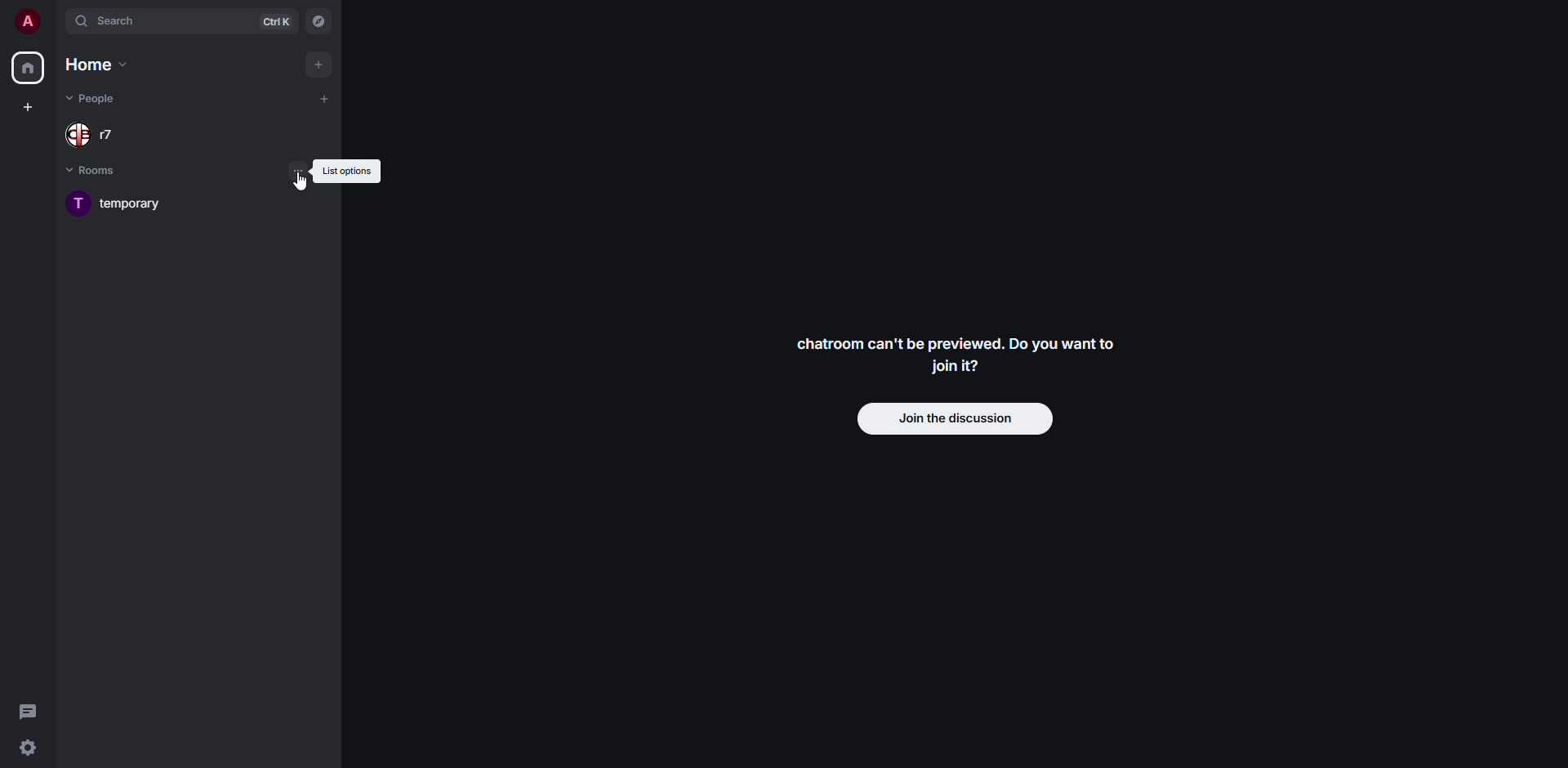 This screenshot has height=768, width=1568. What do you see at coordinates (26, 22) in the screenshot?
I see `profile` at bounding box center [26, 22].